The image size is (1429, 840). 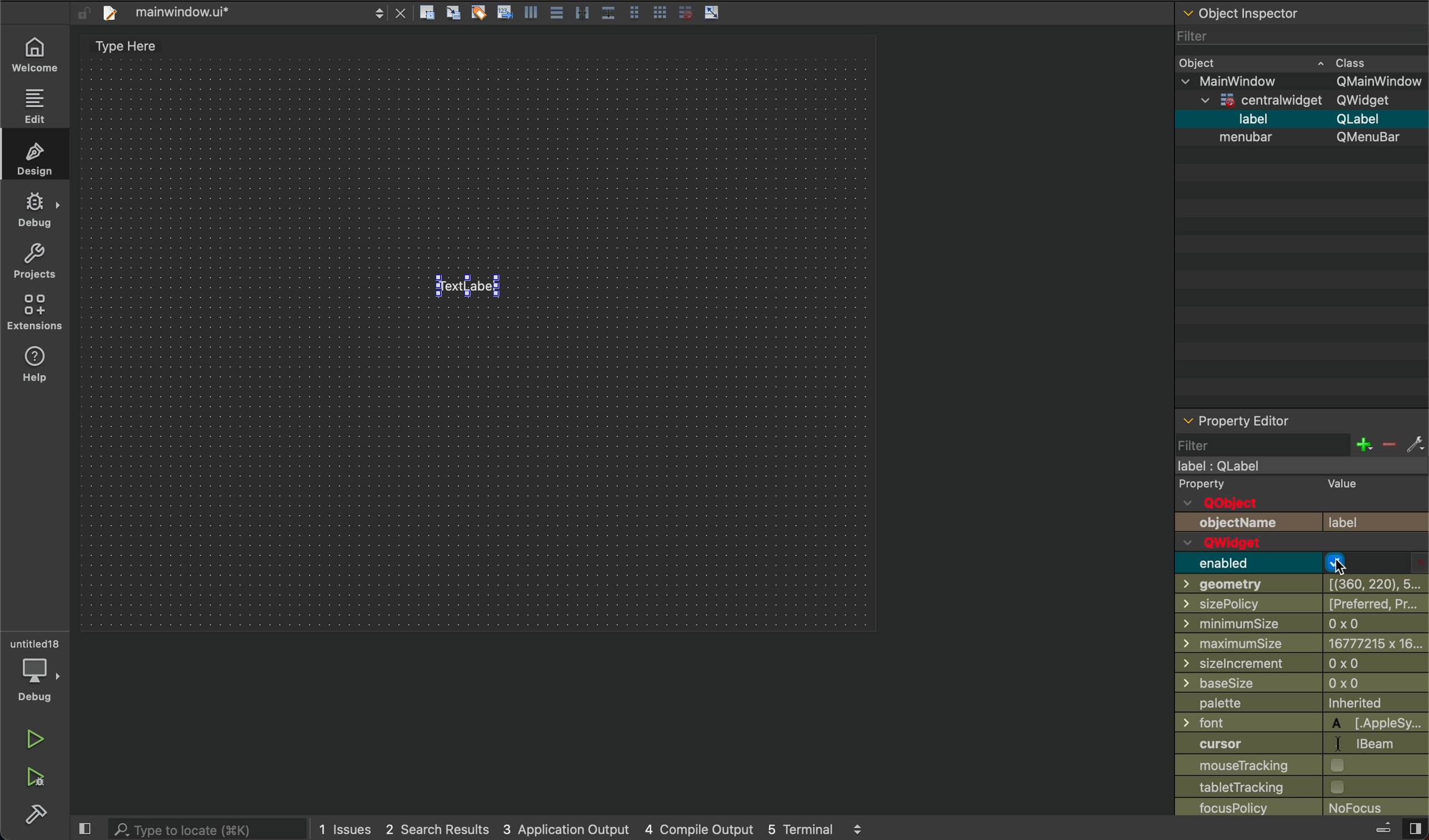 I want to click on cass, so click(x=1359, y=60).